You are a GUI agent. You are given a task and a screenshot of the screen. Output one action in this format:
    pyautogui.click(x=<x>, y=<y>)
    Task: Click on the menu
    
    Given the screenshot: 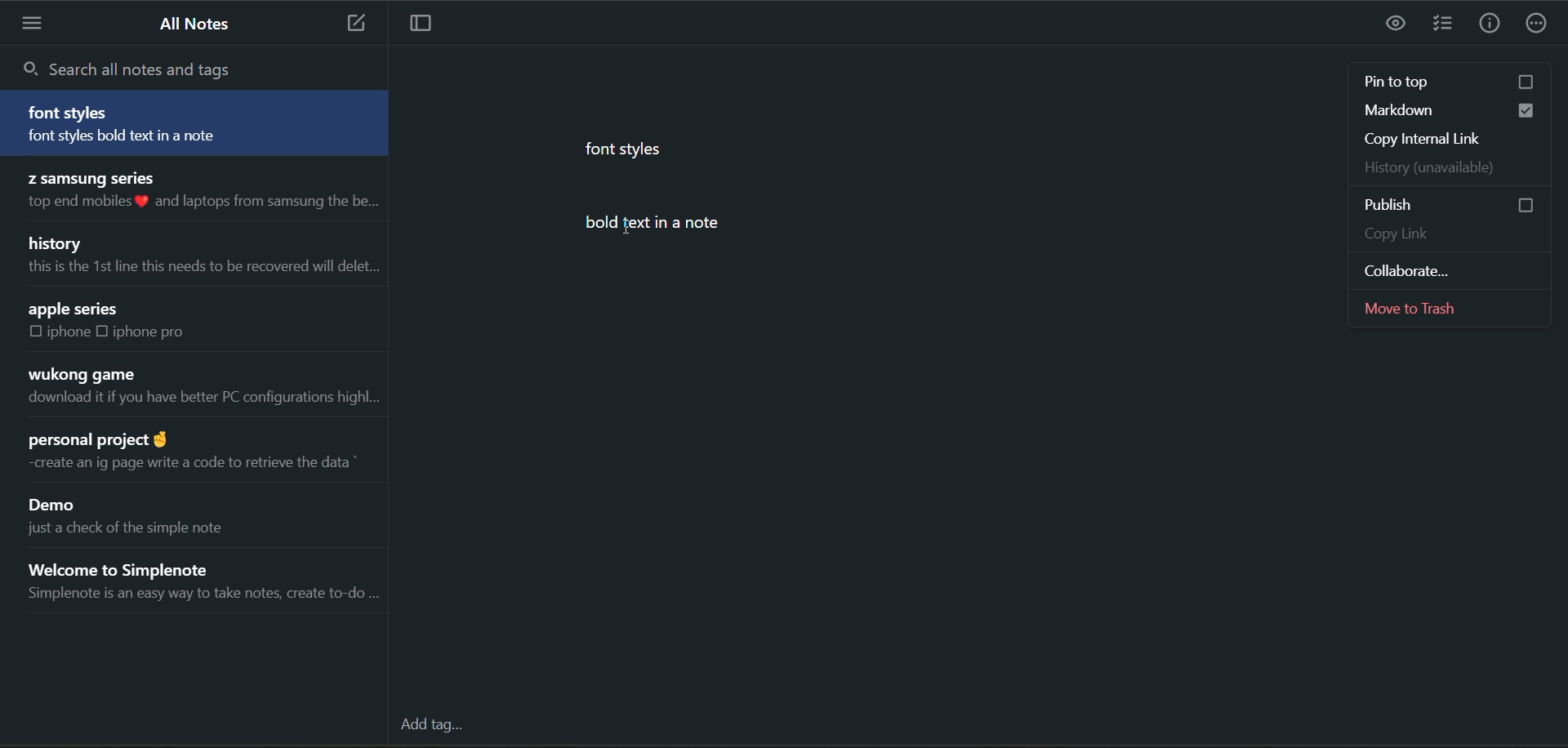 What is the action you would take?
    pyautogui.click(x=35, y=23)
    